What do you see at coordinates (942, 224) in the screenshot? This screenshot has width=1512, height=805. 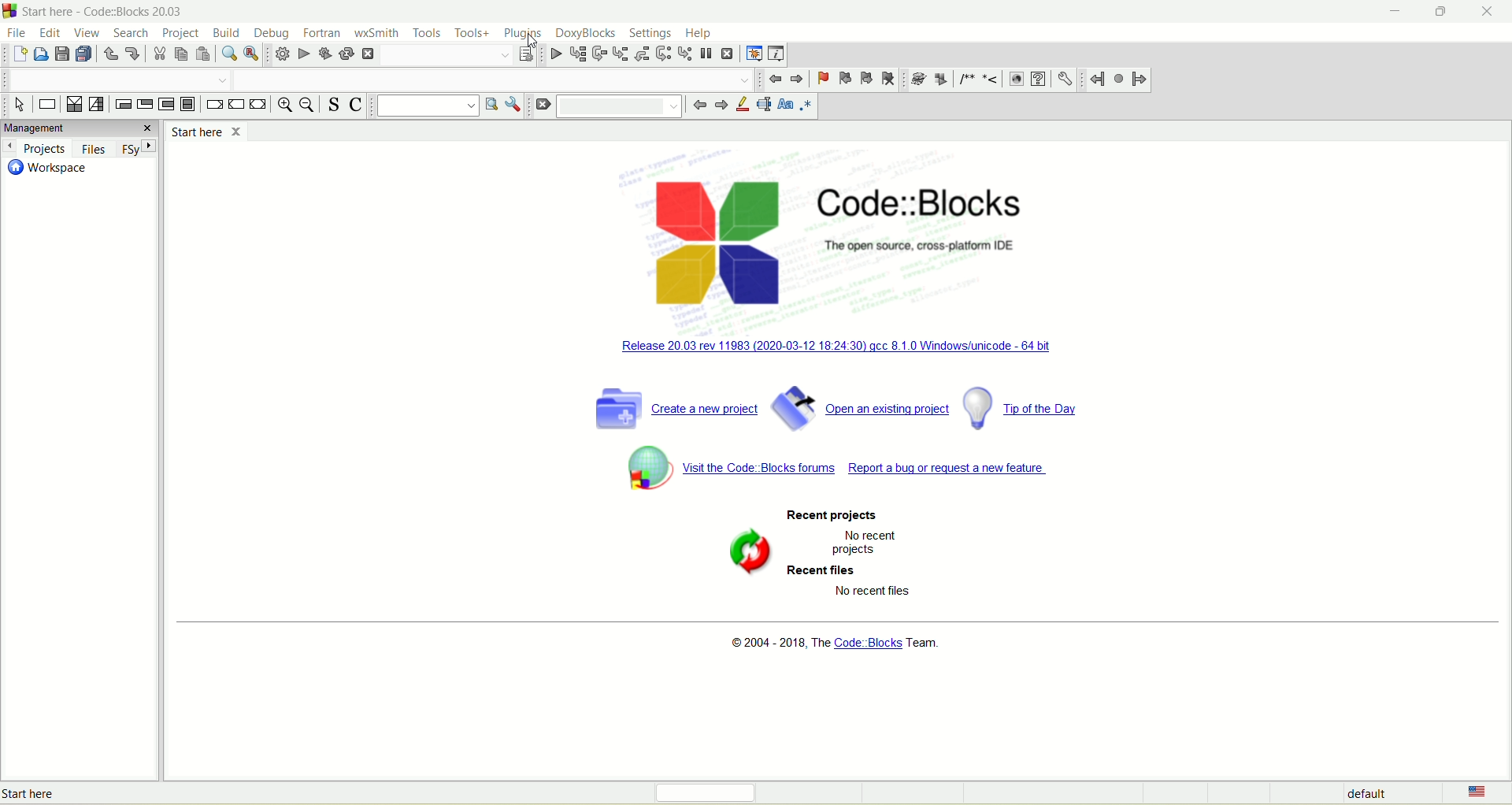 I see `code::block` at bounding box center [942, 224].